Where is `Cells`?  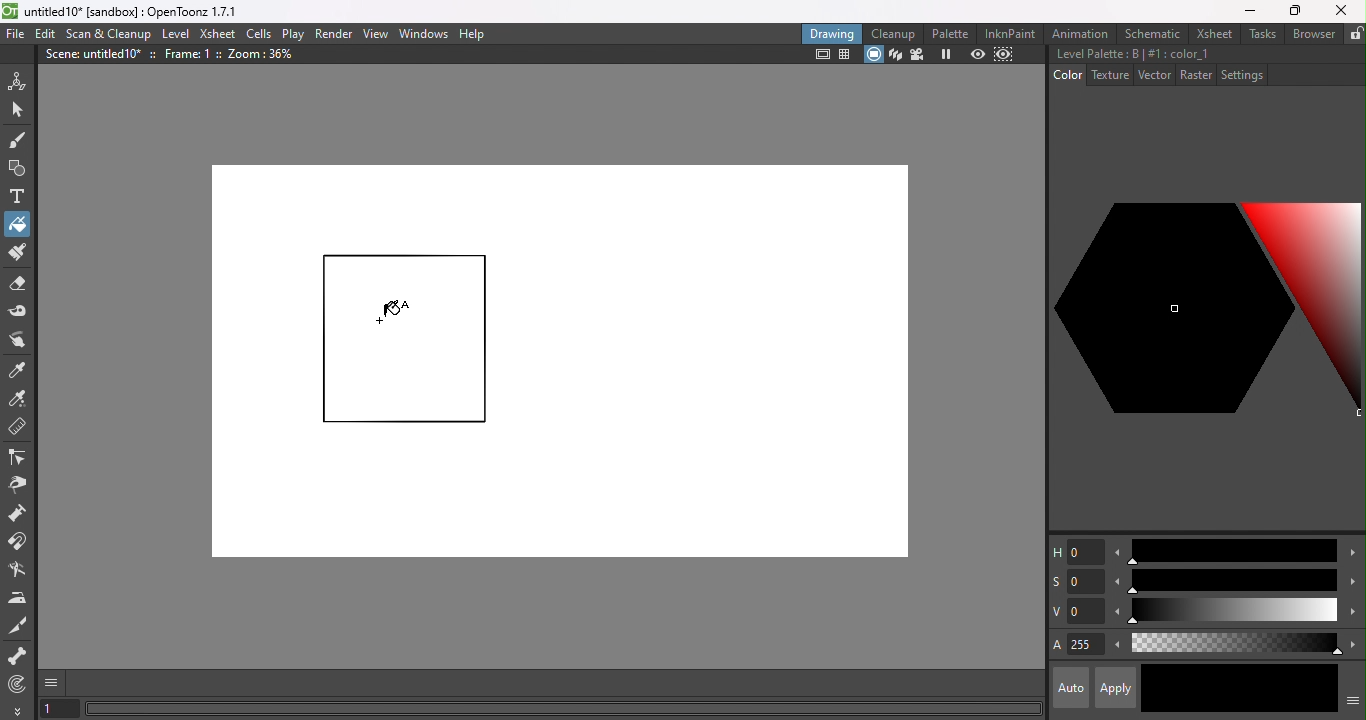
Cells is located at coordinates (258, 35).